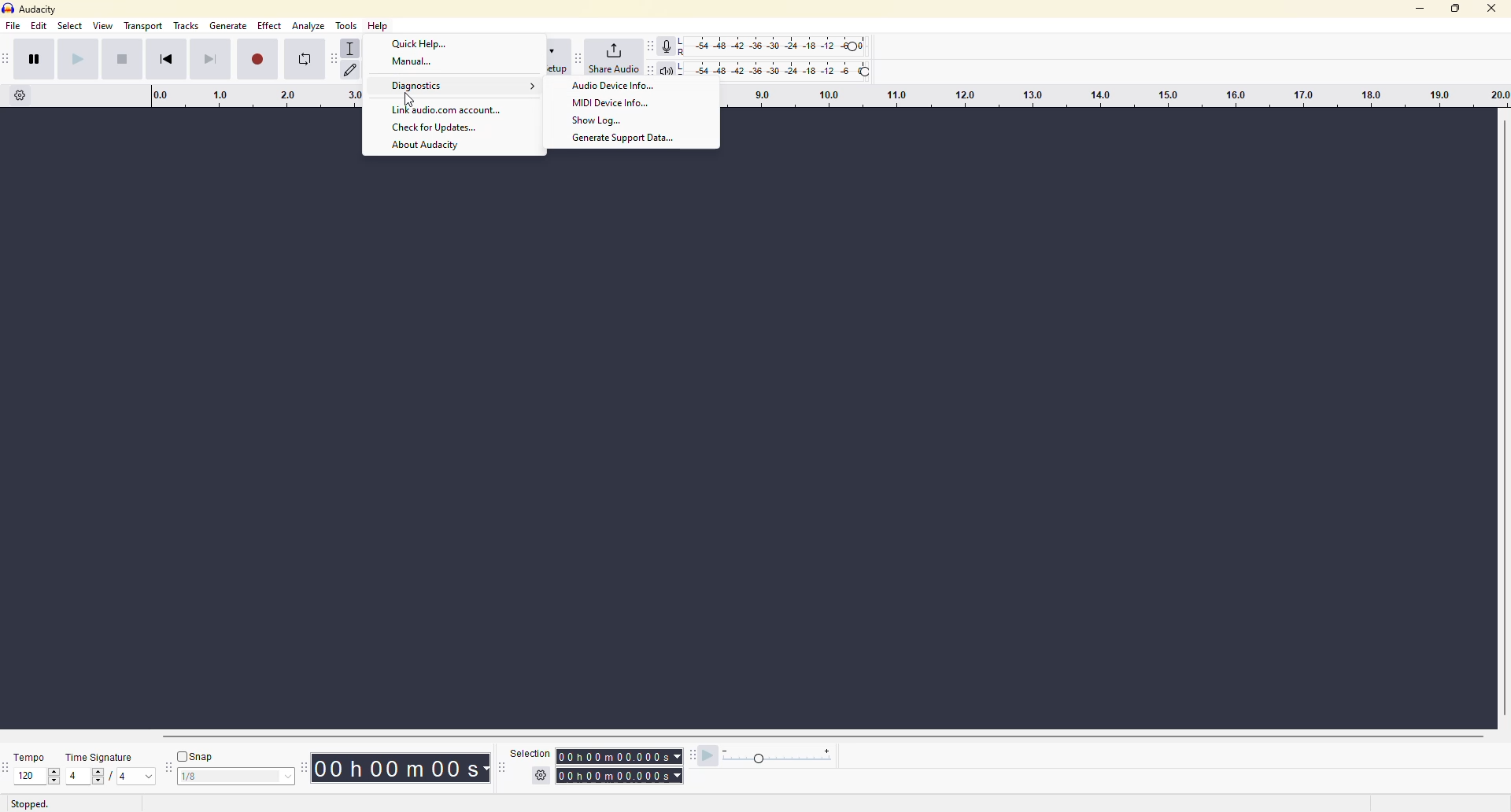 This screenshot has width=1511, height=812. I want to click on minimize, so click(1418, 8).